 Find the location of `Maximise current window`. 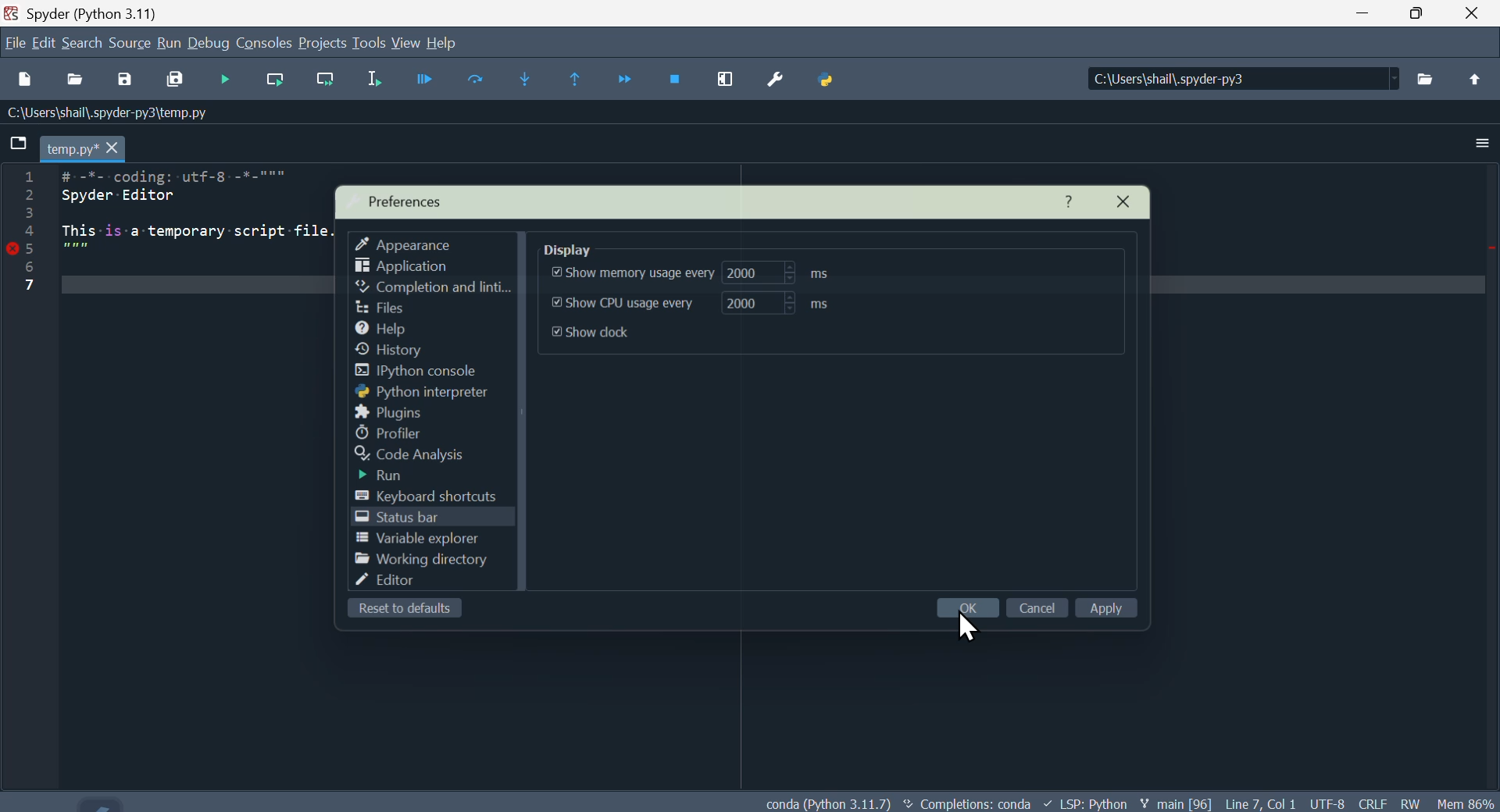

Maximise current window is located at coordinates (727, 81).